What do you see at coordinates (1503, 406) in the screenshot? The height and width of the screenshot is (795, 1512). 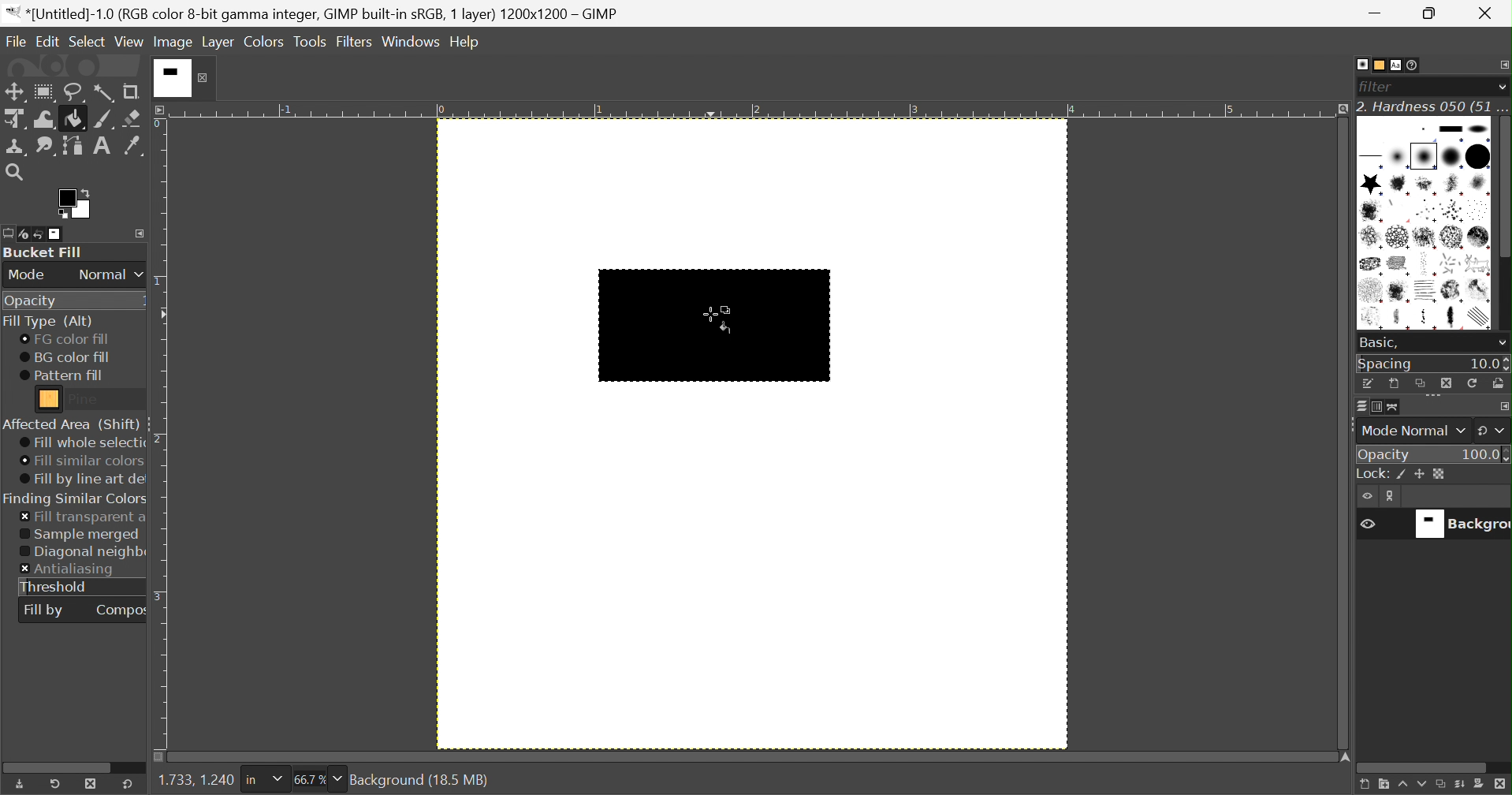 I see `Configure this tab` at bounding box center [1503, 406].